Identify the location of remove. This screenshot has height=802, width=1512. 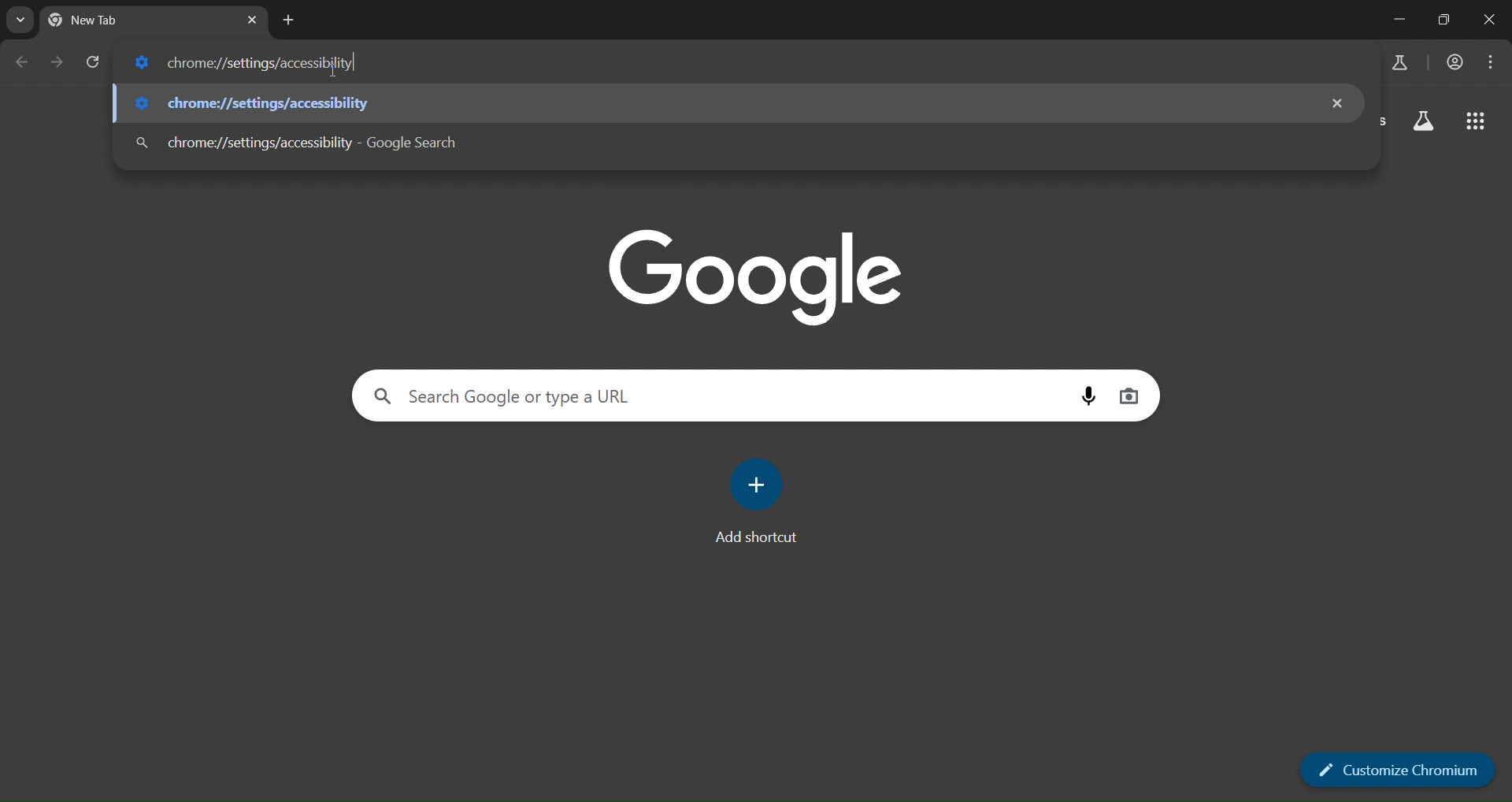
(1334, 102).